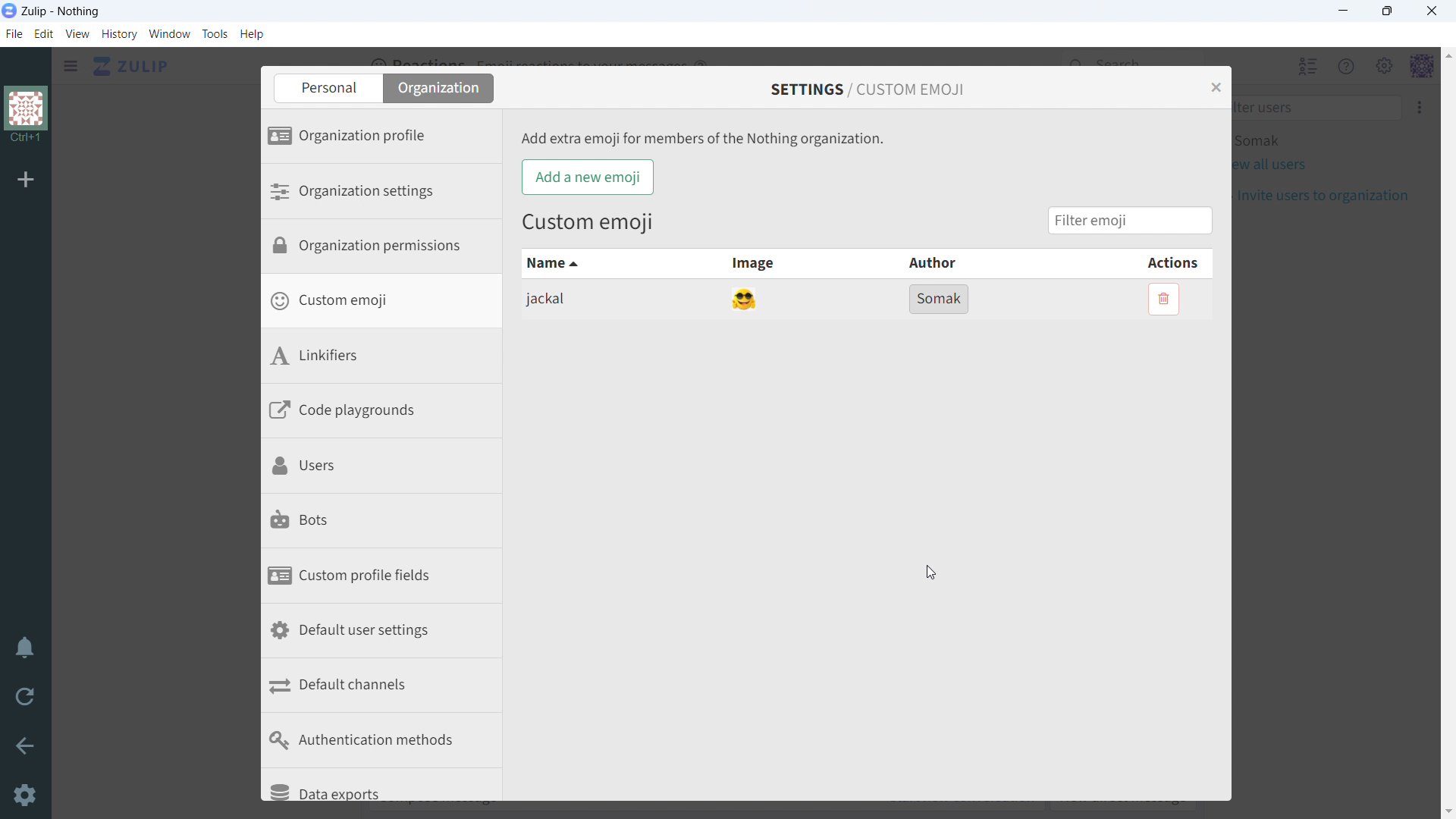 This screenshot has height=819, width=1456. I want to click on authentication methods, so click(389, 741).